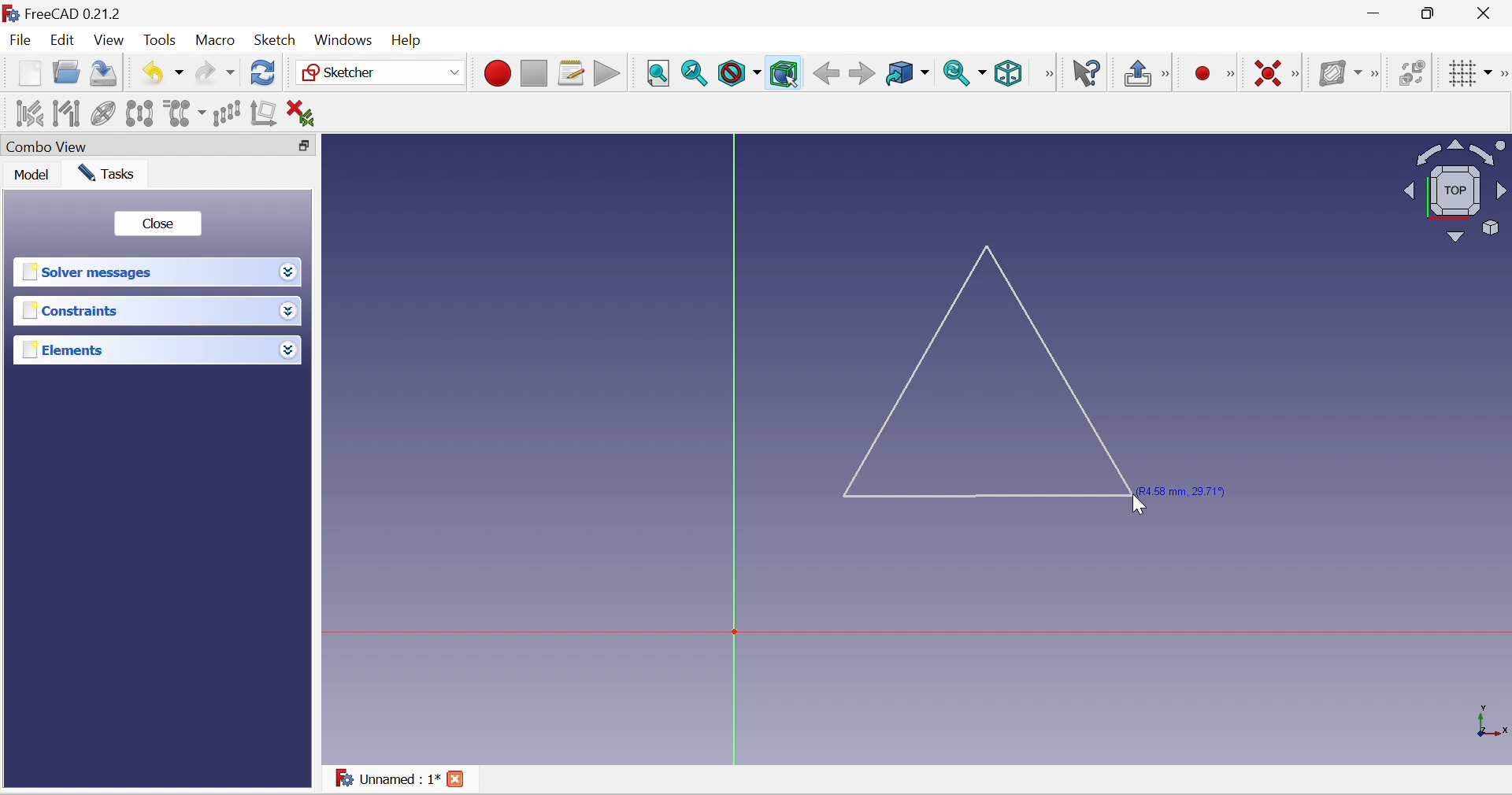 The height and width of the screenshot is (795, 1512). I want to click on Go to linked object, so click(908, 74).